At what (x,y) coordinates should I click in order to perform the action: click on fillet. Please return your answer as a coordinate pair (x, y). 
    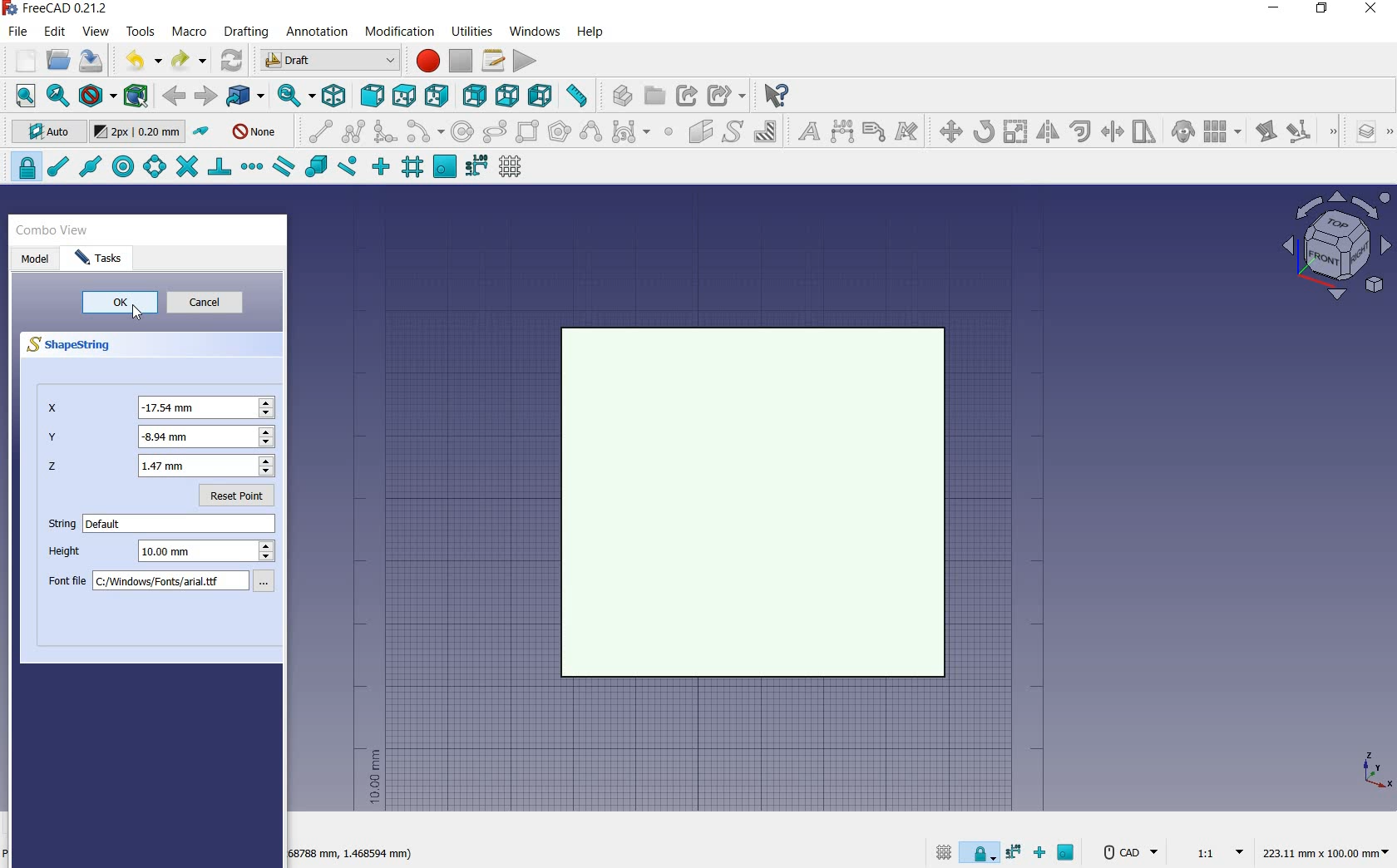
    Looking at the image, I should click on (386, 132).